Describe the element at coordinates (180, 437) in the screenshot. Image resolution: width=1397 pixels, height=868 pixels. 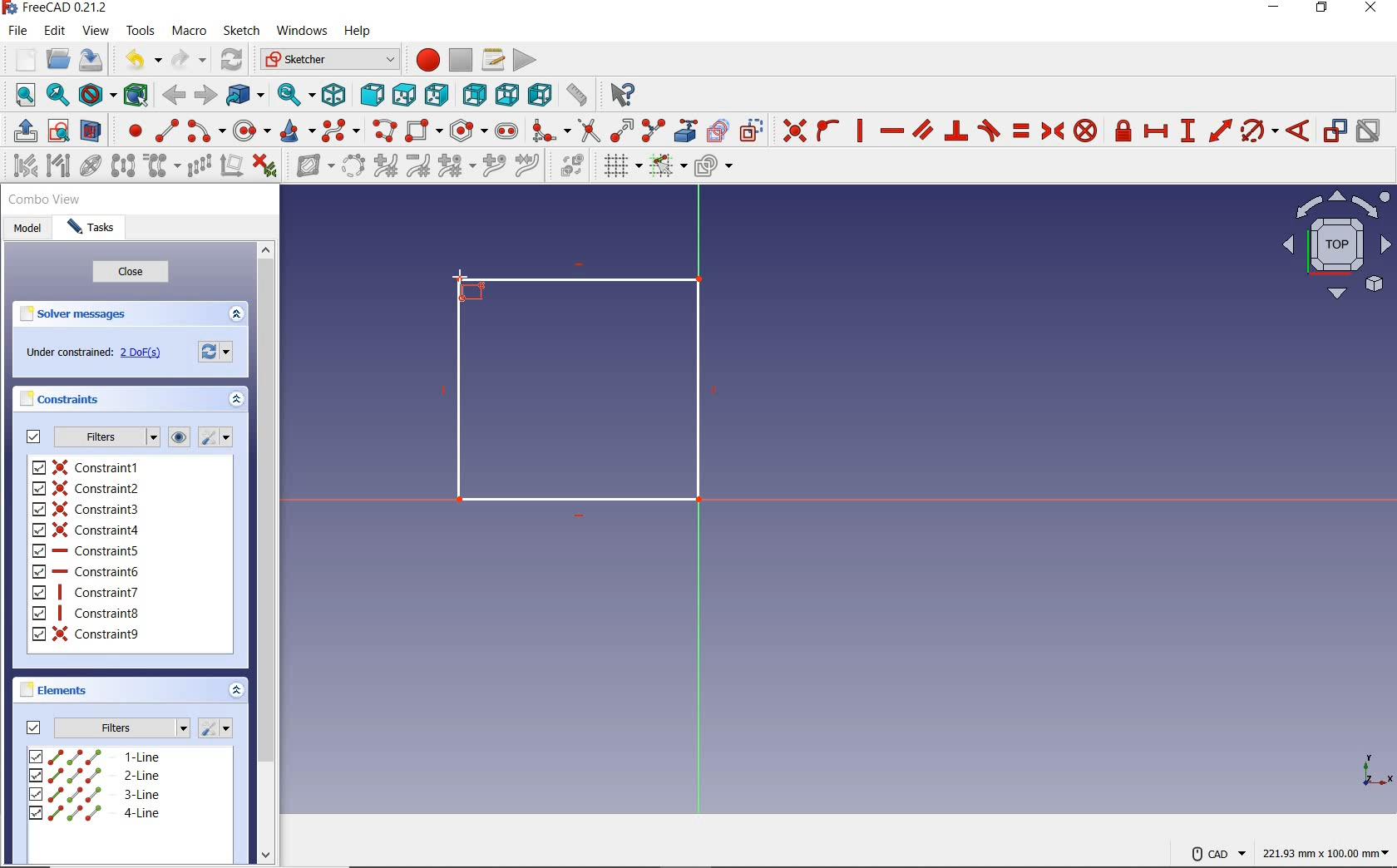
I see `show or hide all listed constraints from 3D view` at that location.